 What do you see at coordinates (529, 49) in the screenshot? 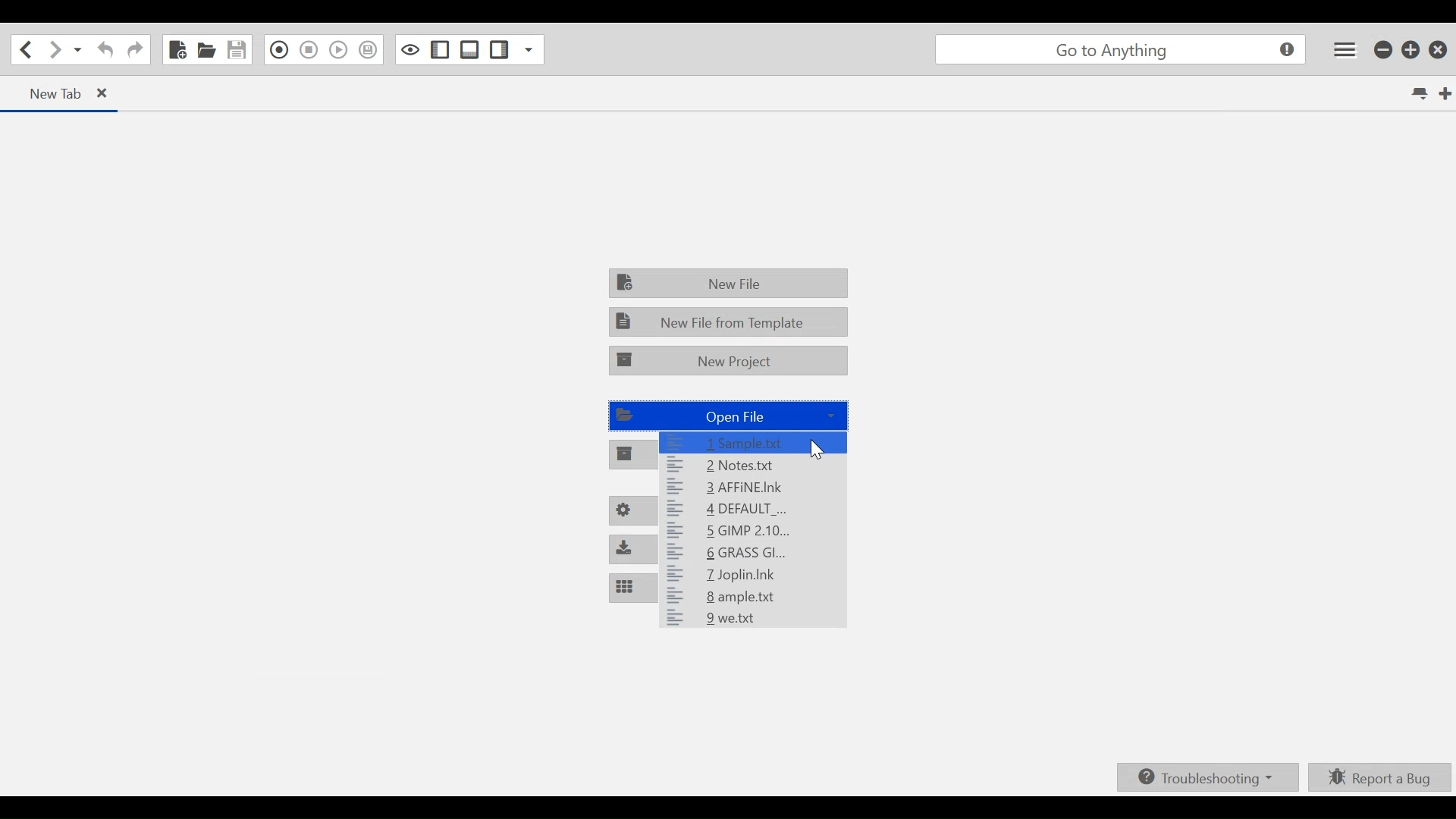
I see `Show specific Sidebar` at bounding box center [529, 49].